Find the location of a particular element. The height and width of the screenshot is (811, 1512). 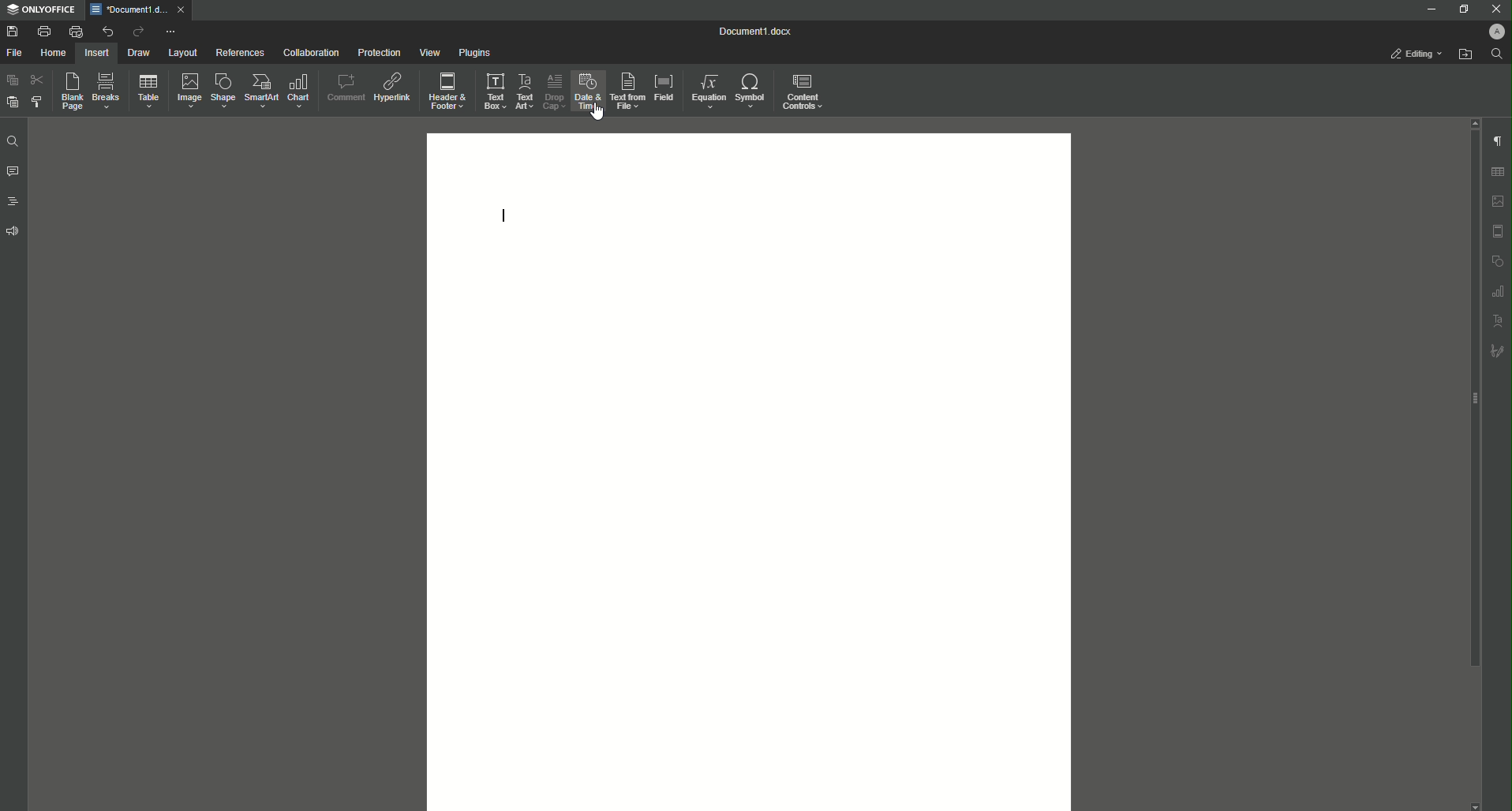

Controls is located at coordinates (806, 91).